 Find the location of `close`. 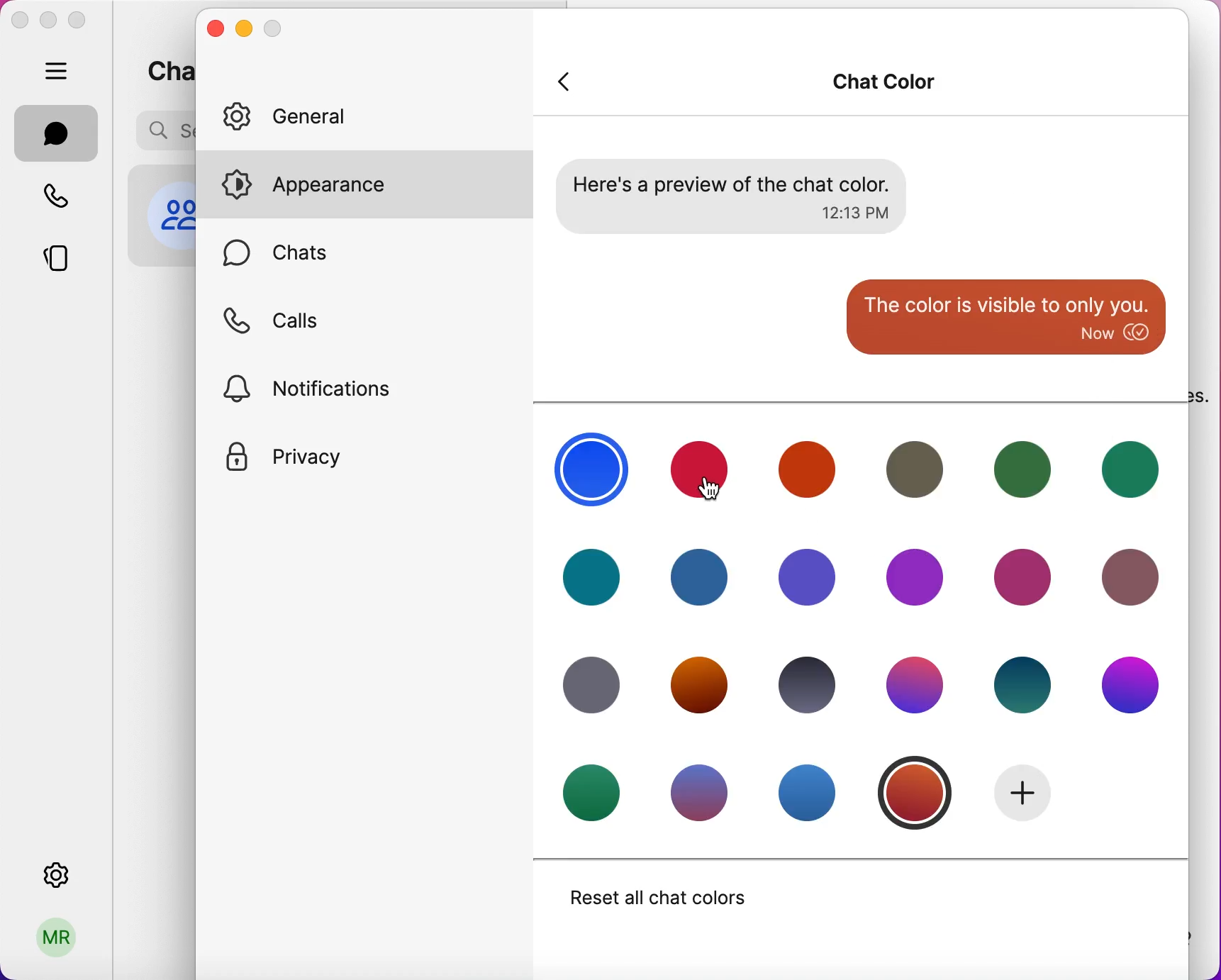

close is located at coordinates (19, 20).